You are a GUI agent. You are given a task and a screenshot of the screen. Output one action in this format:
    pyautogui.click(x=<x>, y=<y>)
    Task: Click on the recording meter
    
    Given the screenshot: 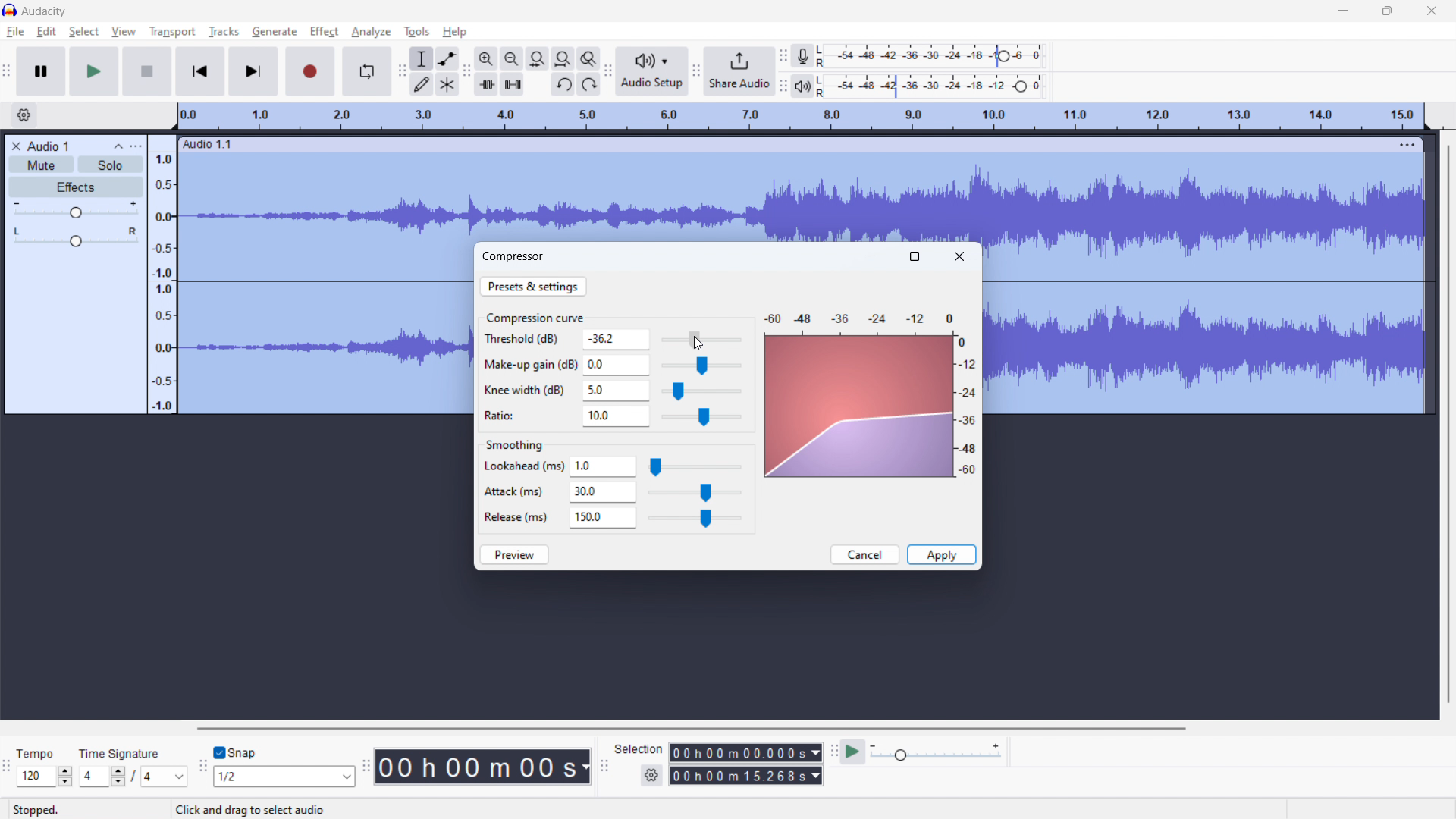 What is the action you would take?
    pyautogui.click(x=808, y=55)
    